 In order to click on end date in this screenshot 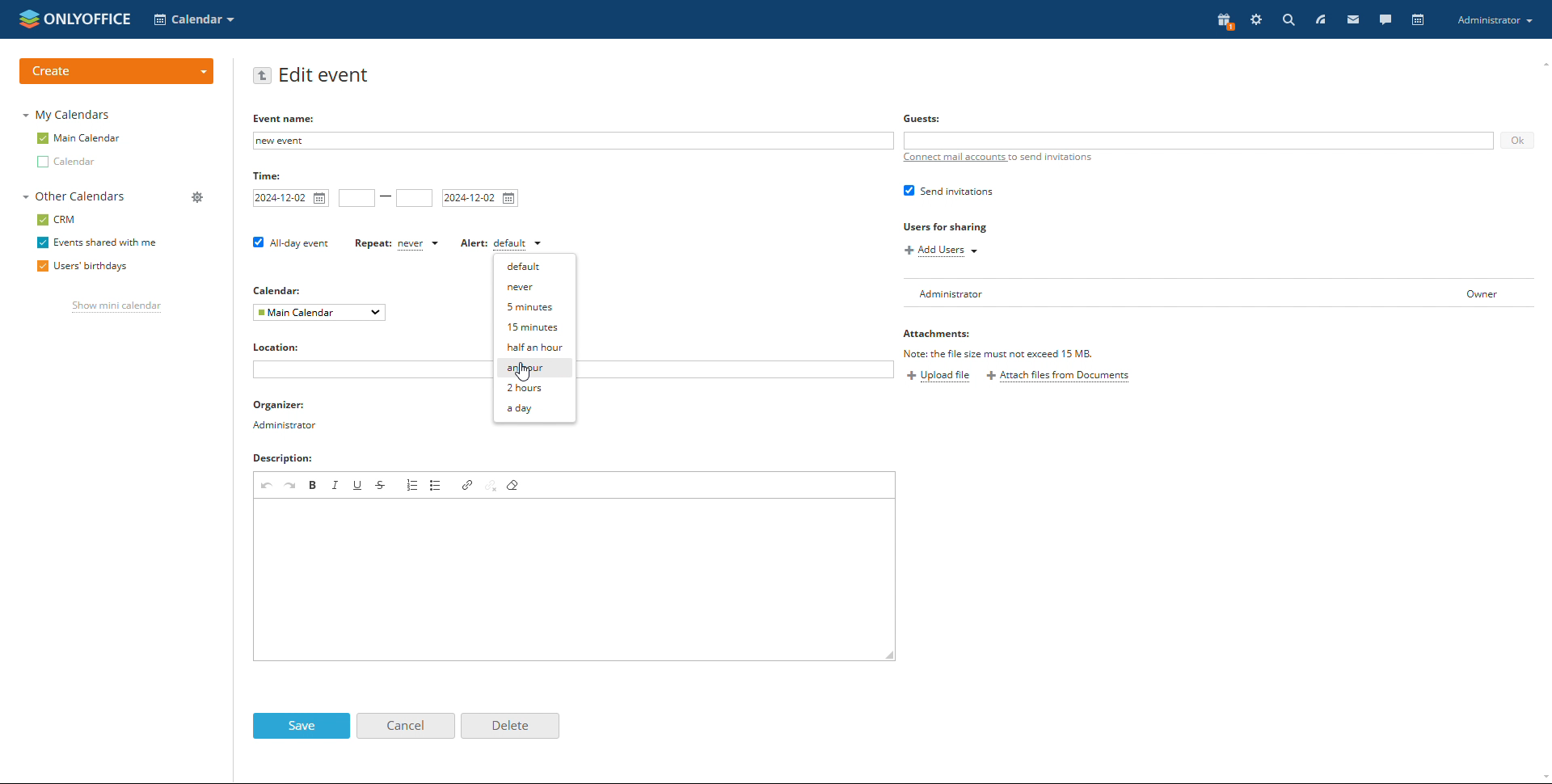, I will do `click(482, 198)`.